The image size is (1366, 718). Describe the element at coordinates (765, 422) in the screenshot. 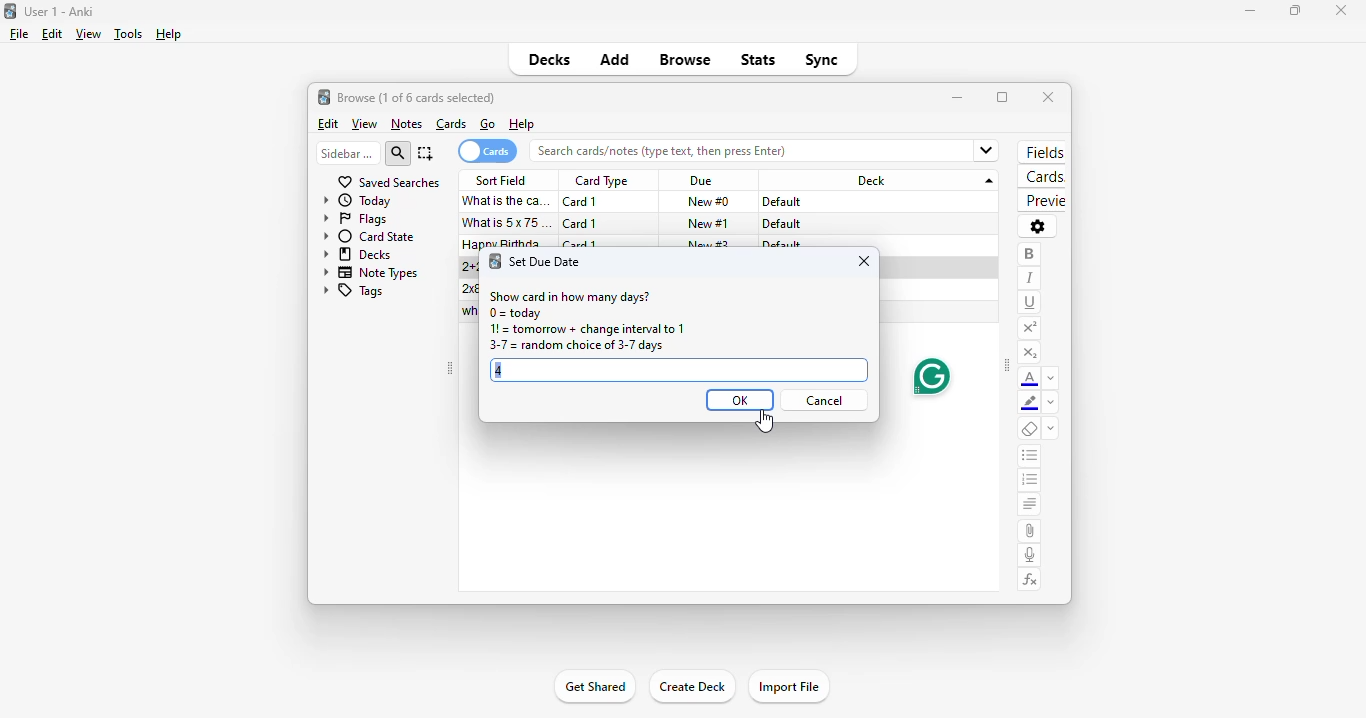

I see `cursor` at that location.